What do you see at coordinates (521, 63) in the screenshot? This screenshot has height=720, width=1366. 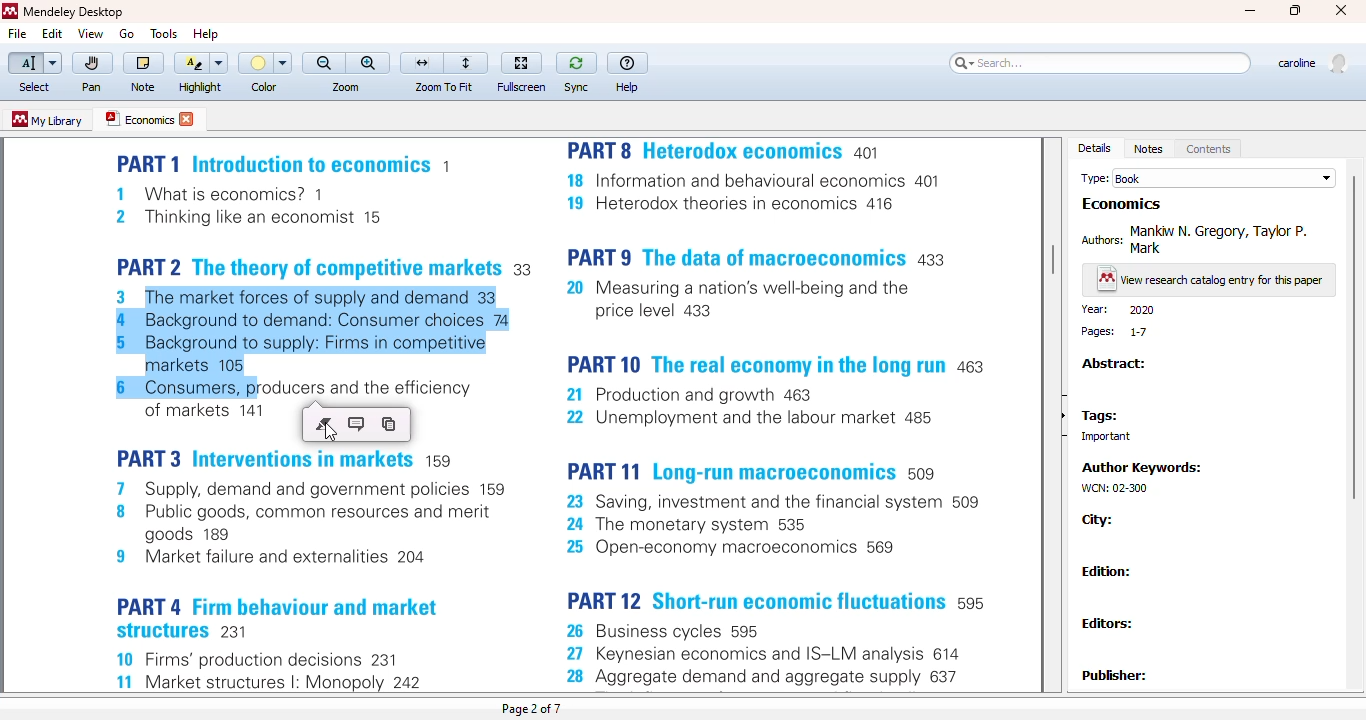 I see `fullscreen` at bounding box center [521, 63].